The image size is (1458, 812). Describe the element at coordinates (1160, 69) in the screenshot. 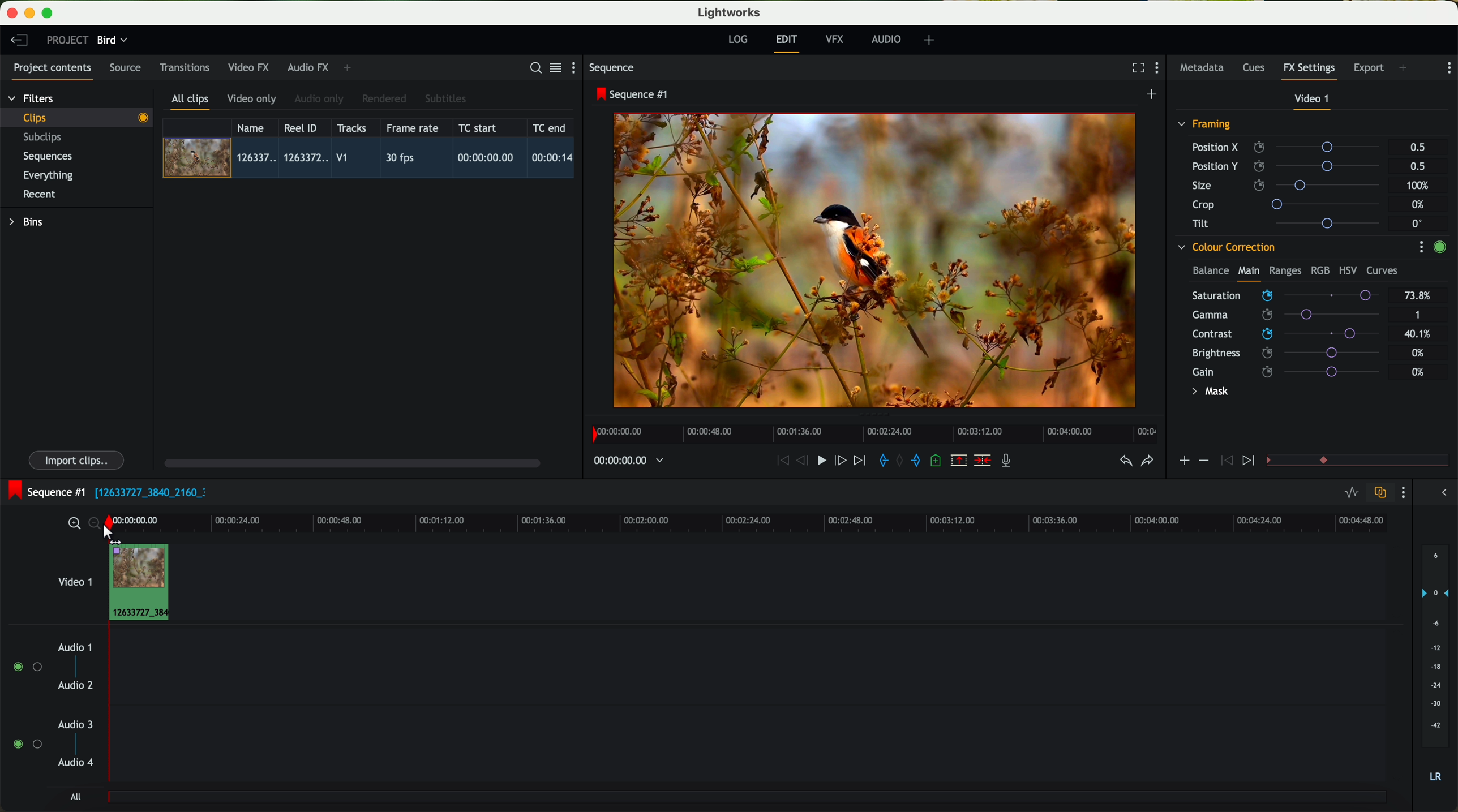

I see `show settings menu` at that location.